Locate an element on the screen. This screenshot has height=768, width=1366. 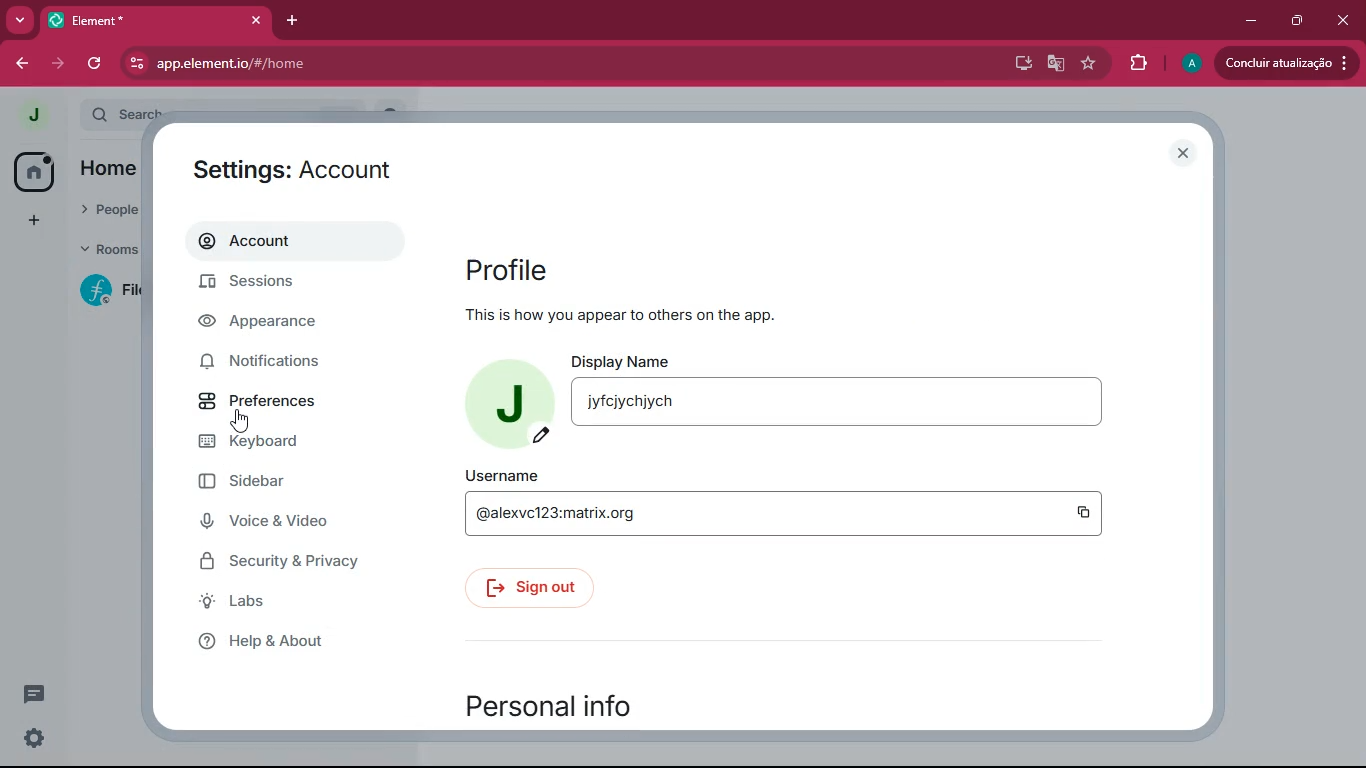
notifications is located at coordinates (277, 365).